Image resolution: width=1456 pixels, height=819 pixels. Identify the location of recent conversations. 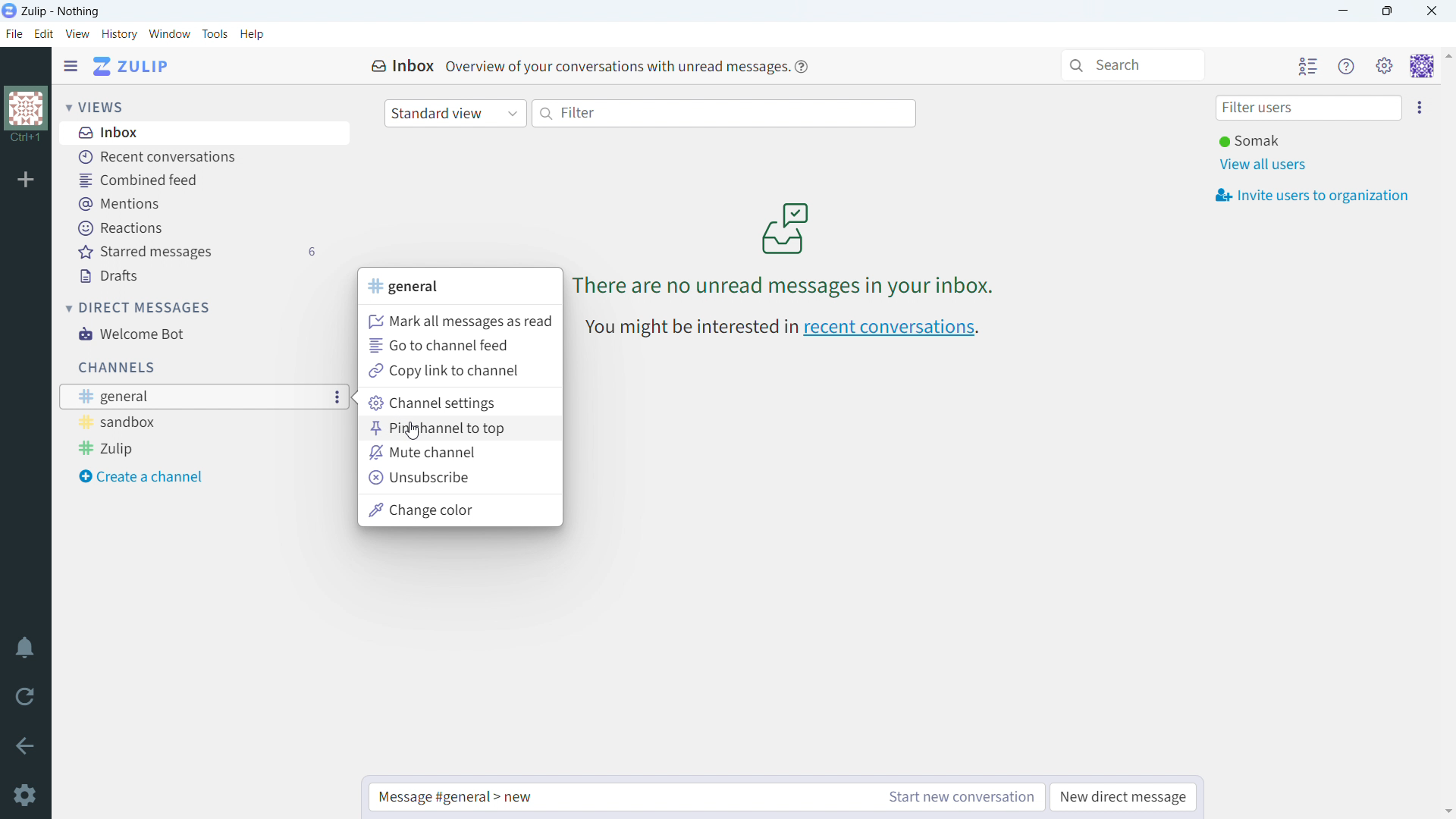
(892, 329).